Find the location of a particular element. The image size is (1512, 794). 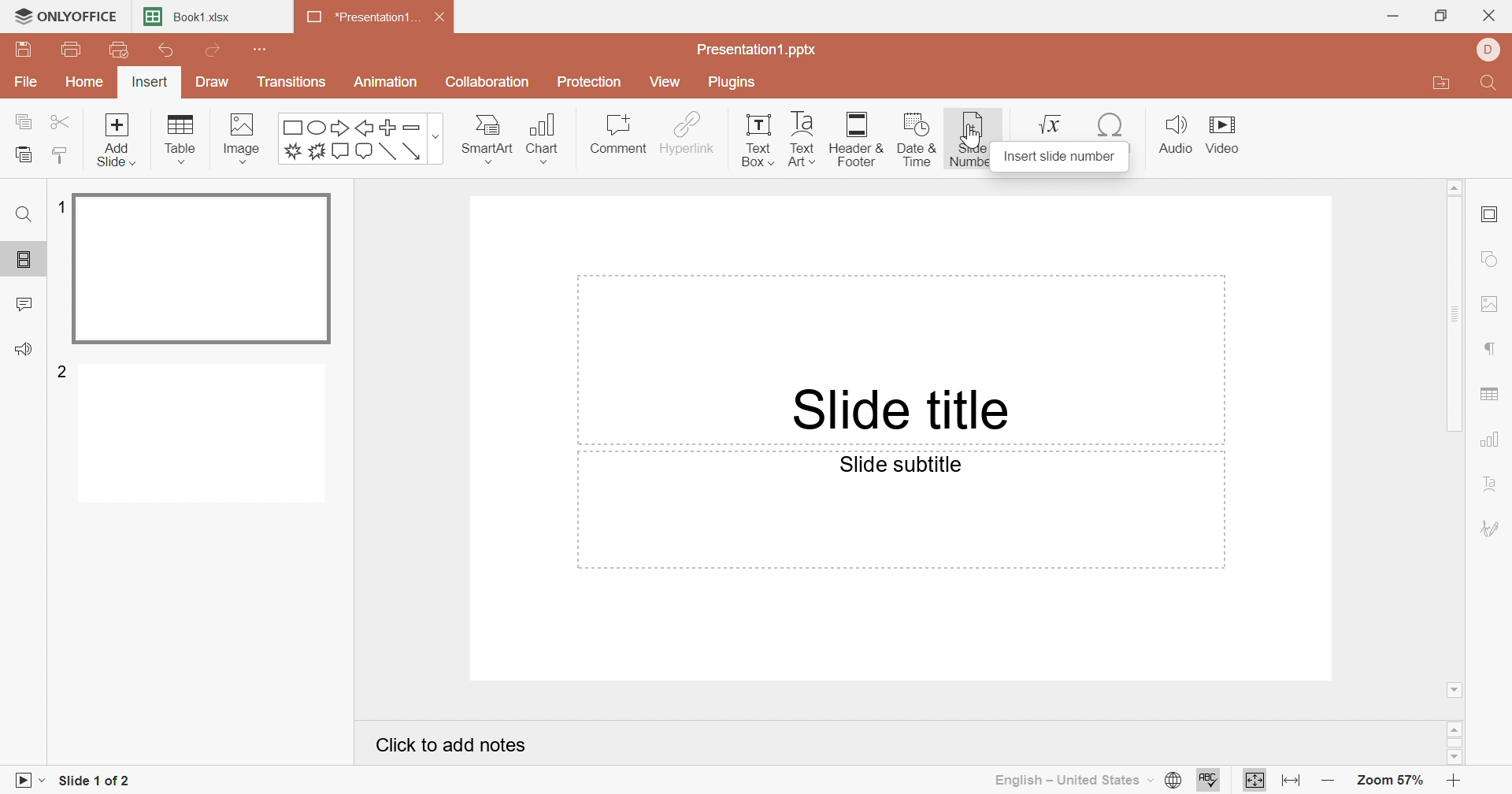

 is located at coordinates (916, 137).